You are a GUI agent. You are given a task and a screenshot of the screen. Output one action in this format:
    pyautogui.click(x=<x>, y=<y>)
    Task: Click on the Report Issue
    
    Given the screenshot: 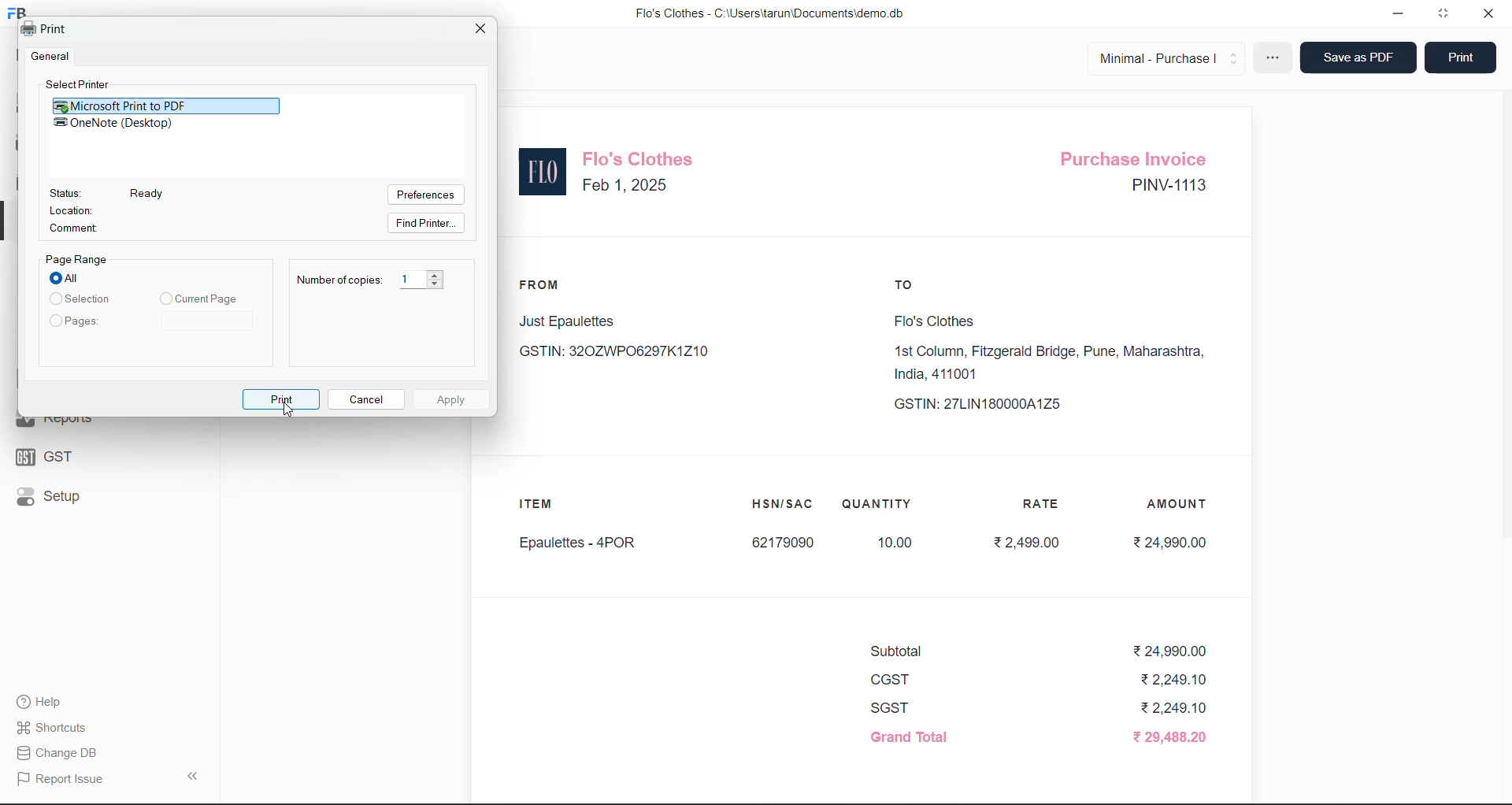 What is the action you would take?
    pyautogui.click(x=65, y=777)
    